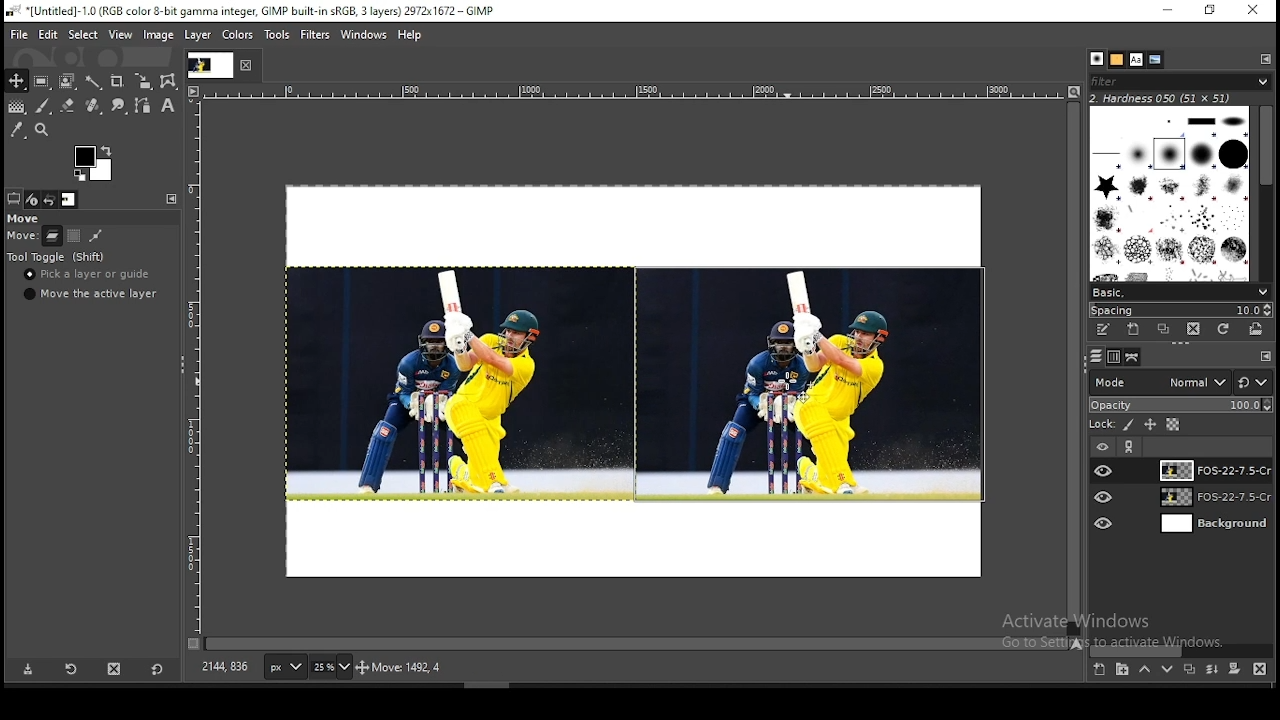  What do you see at coordinates (809, 384) in the screenshot?
I see `image (duplicate)` at bounding box center [809, 384].